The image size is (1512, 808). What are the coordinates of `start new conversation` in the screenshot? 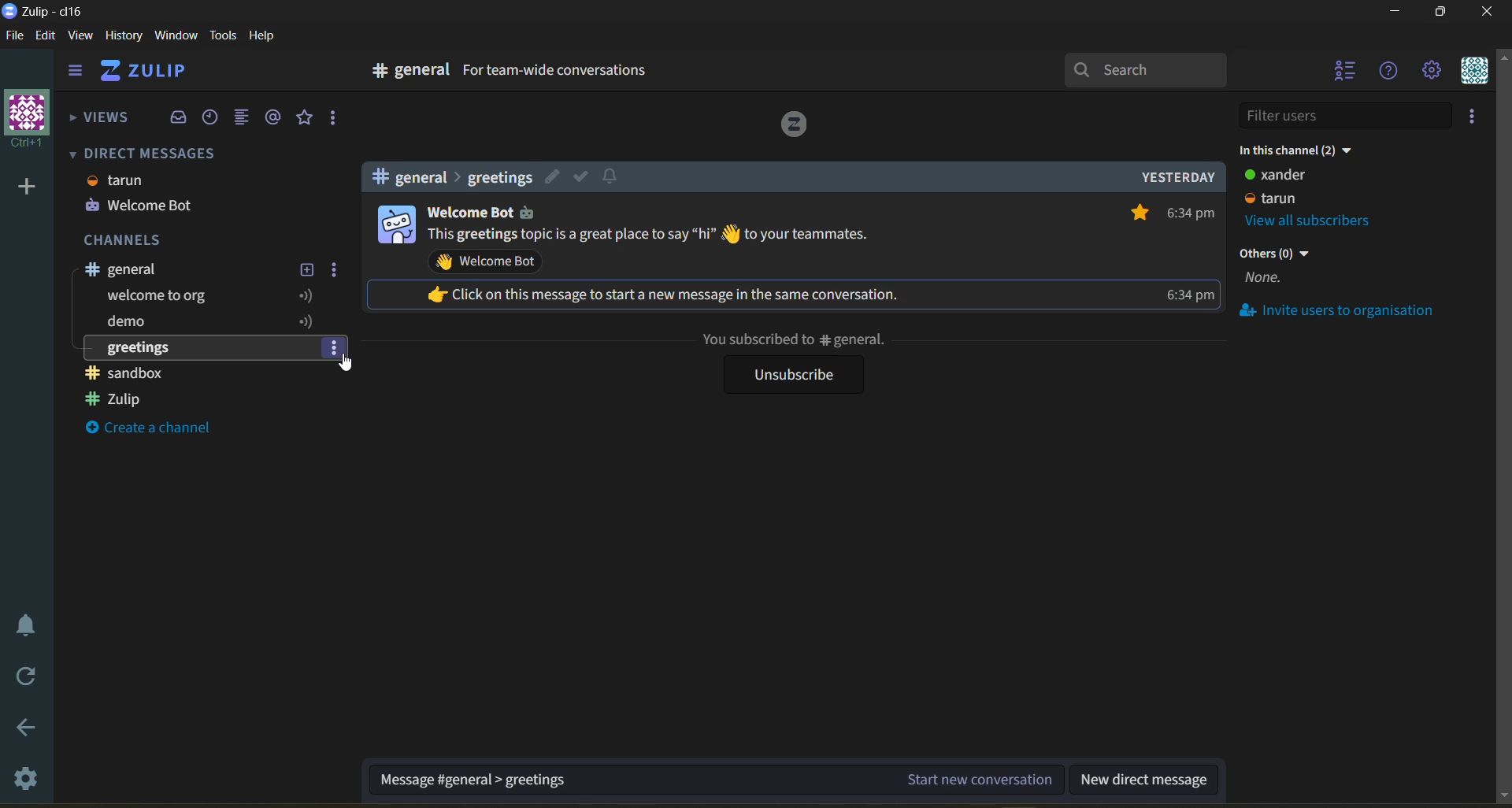 It's located at (717, 776).